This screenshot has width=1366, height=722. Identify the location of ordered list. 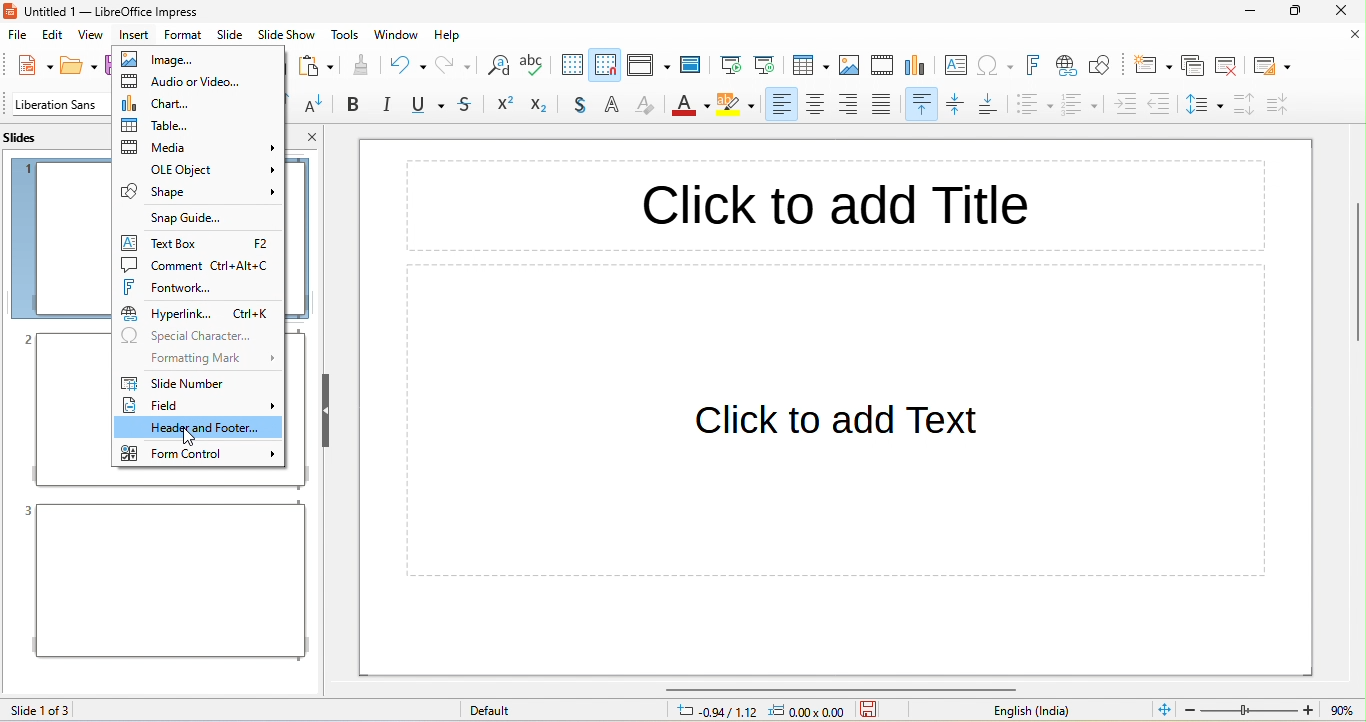
(1080, 106).